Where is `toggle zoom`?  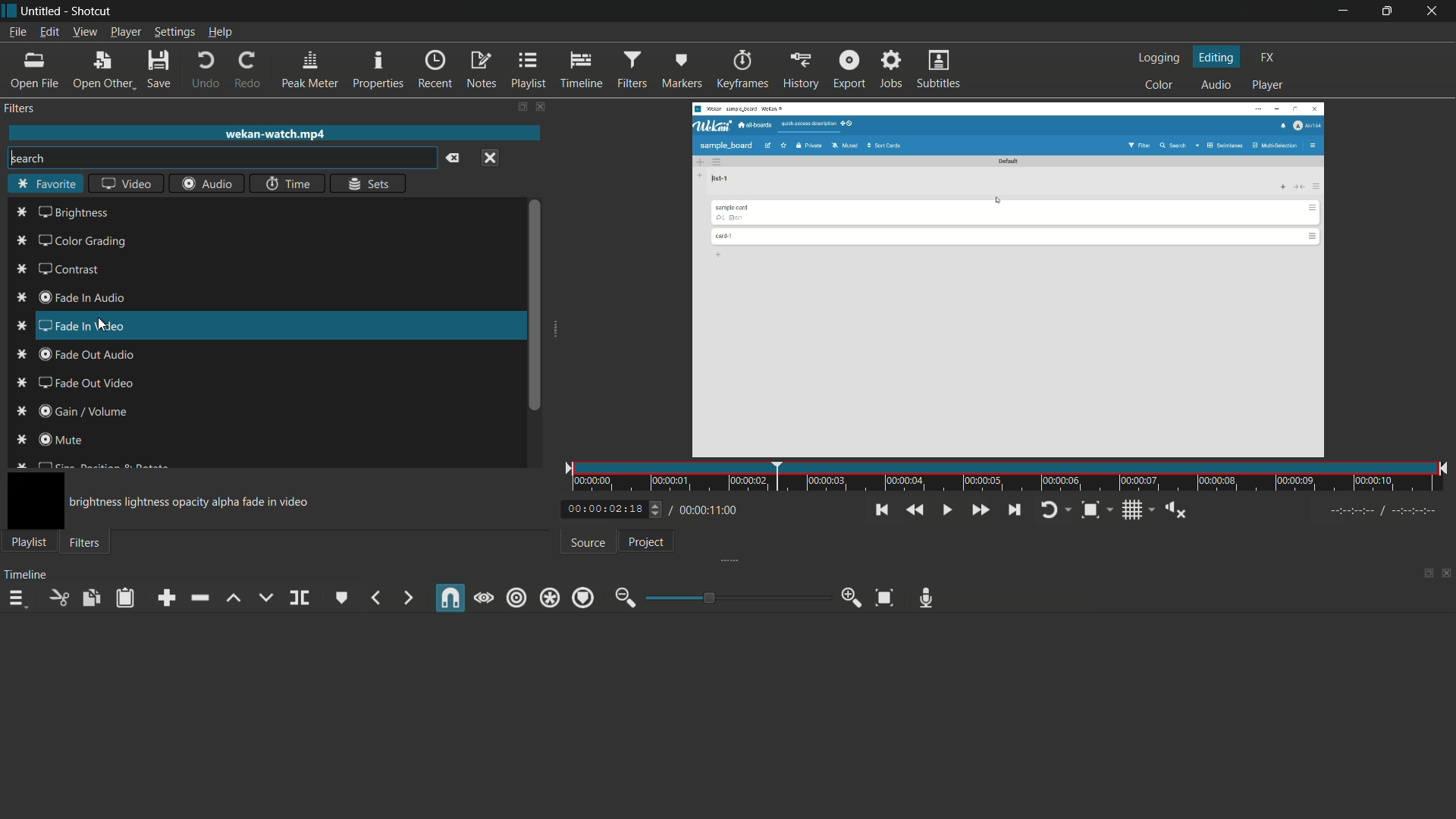
toggle zoom is located at coordinates (1090, 511).